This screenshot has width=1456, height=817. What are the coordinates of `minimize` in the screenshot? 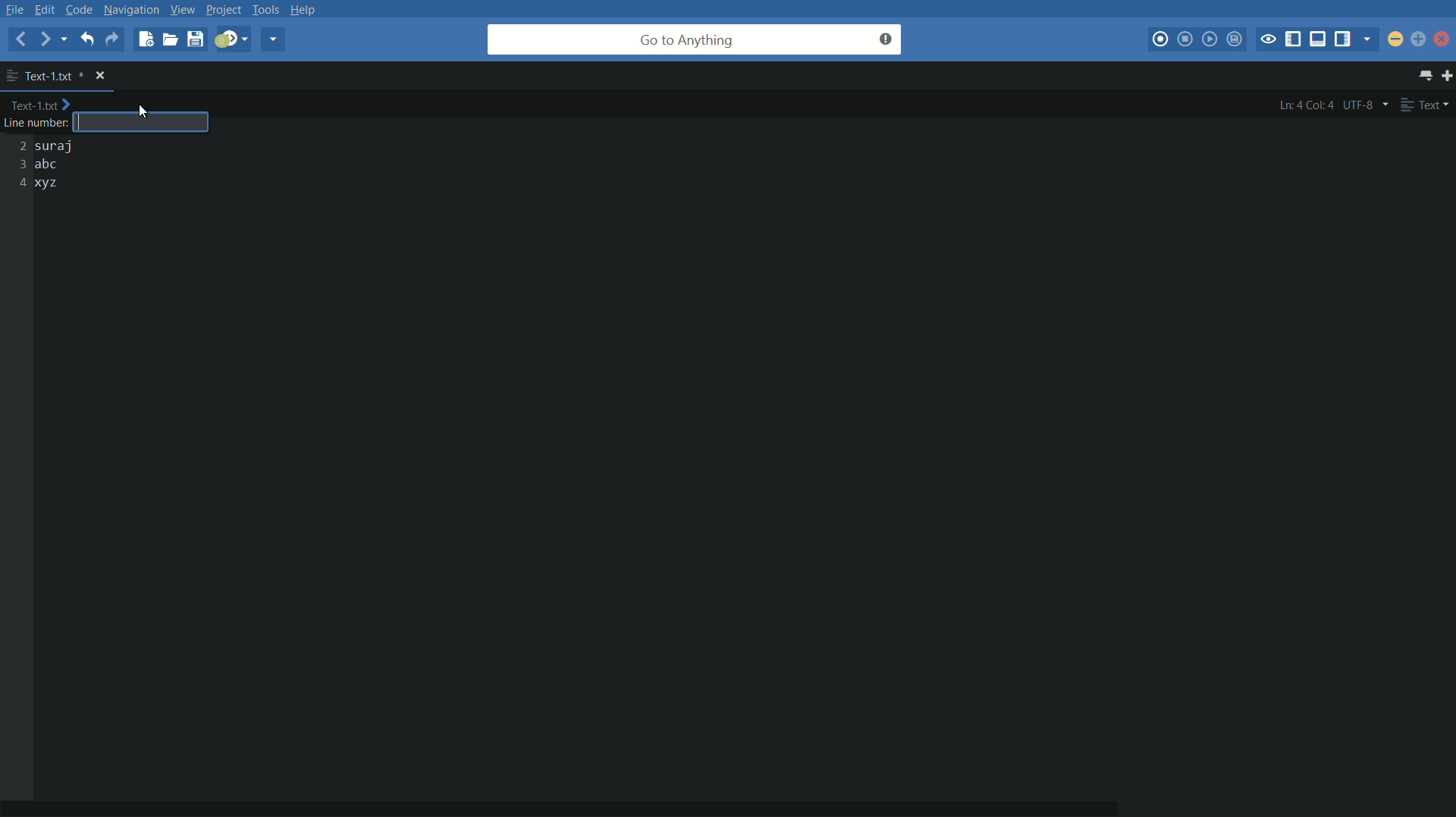 It's located at (1396, 39).